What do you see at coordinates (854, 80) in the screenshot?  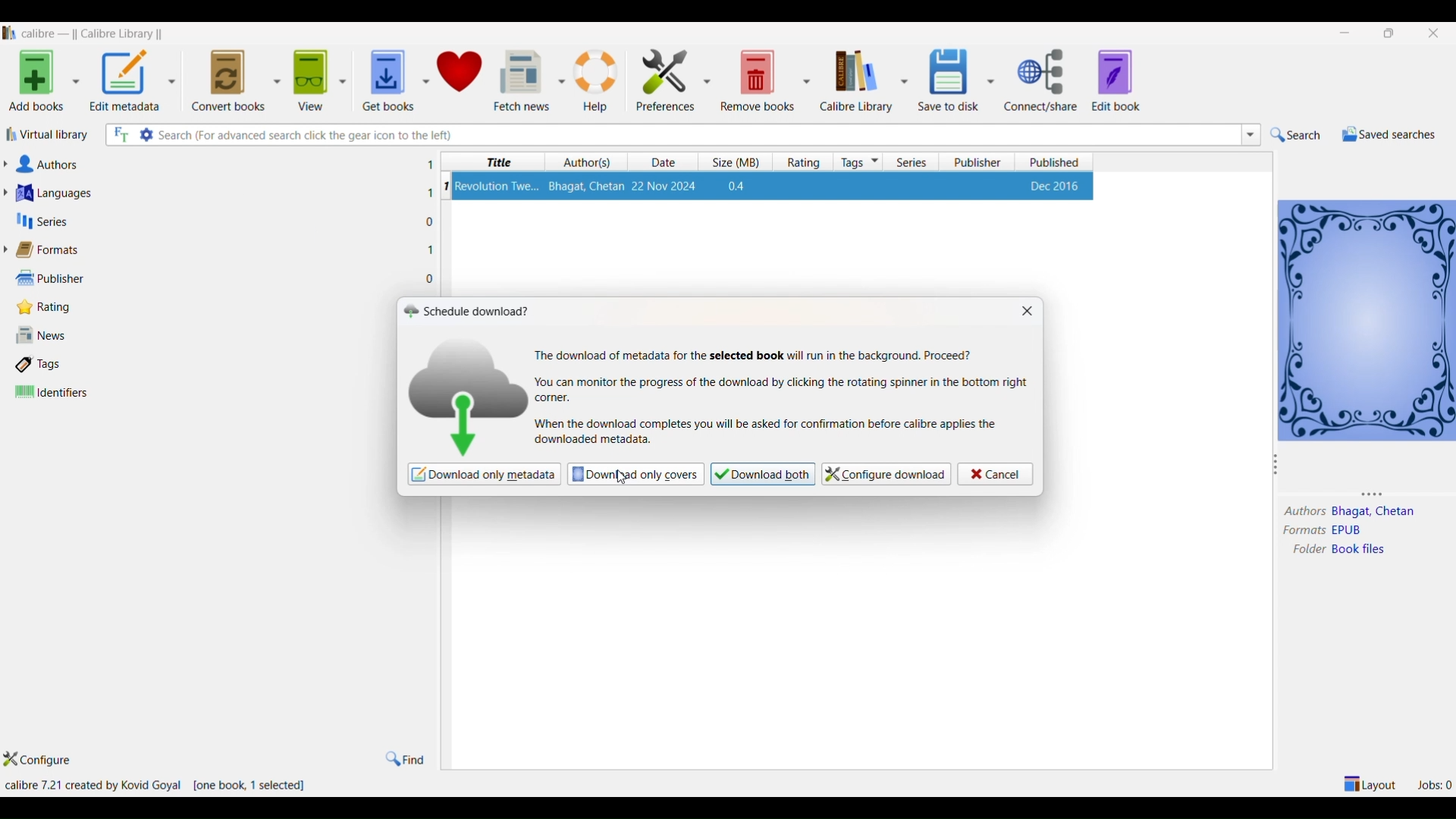 I see `calibre library` at bounding box center [854, 80].